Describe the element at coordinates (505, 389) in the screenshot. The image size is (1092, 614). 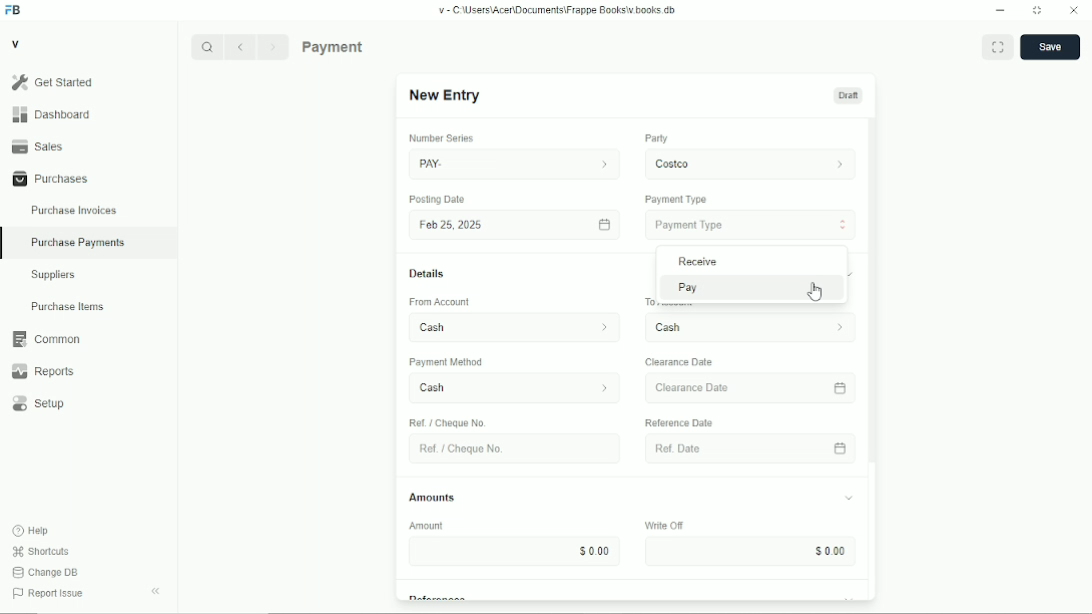
I see `Cash` at that location.